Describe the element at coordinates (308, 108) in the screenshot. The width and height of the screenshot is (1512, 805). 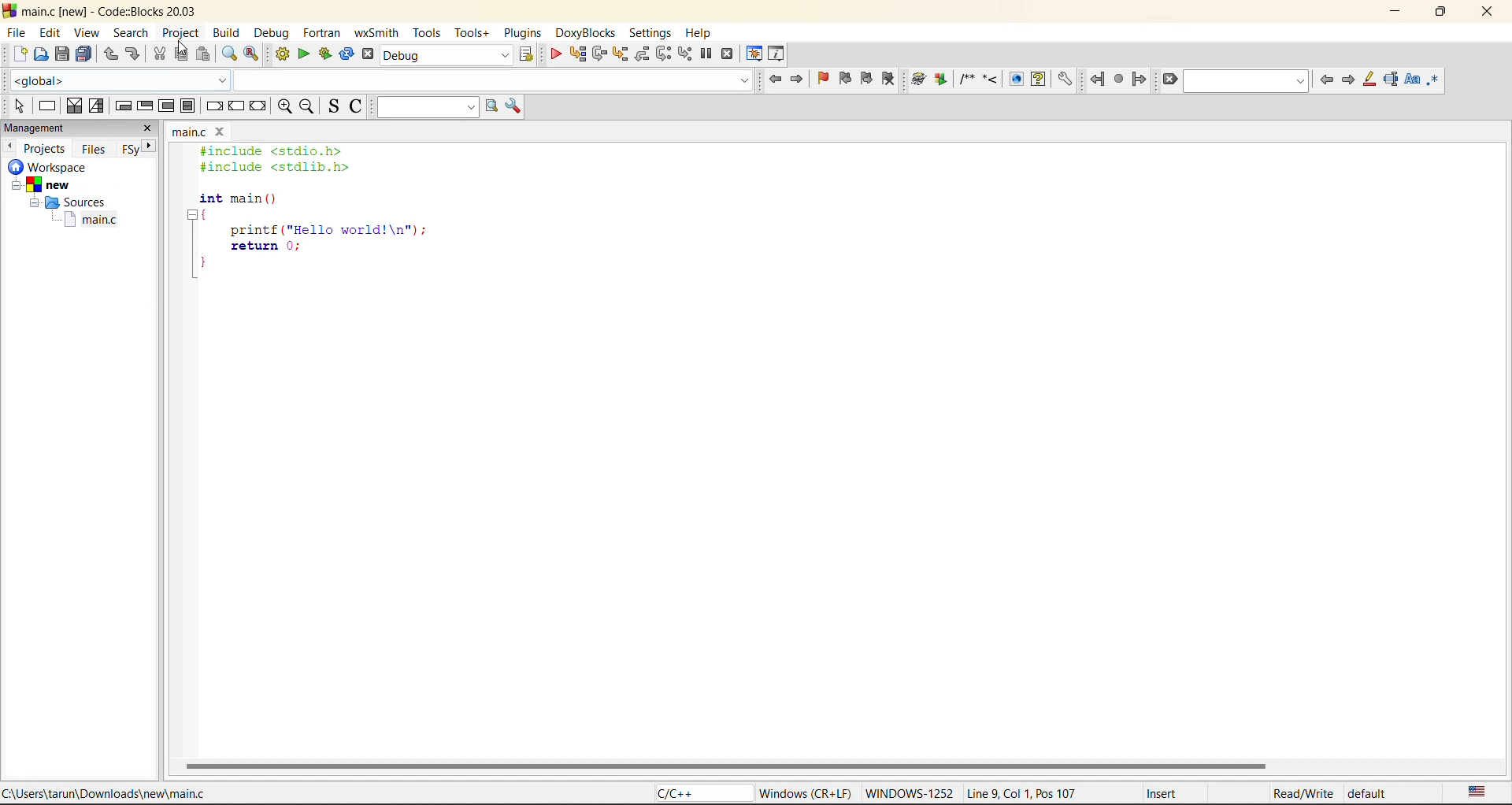
I see `zoom out` at that location.